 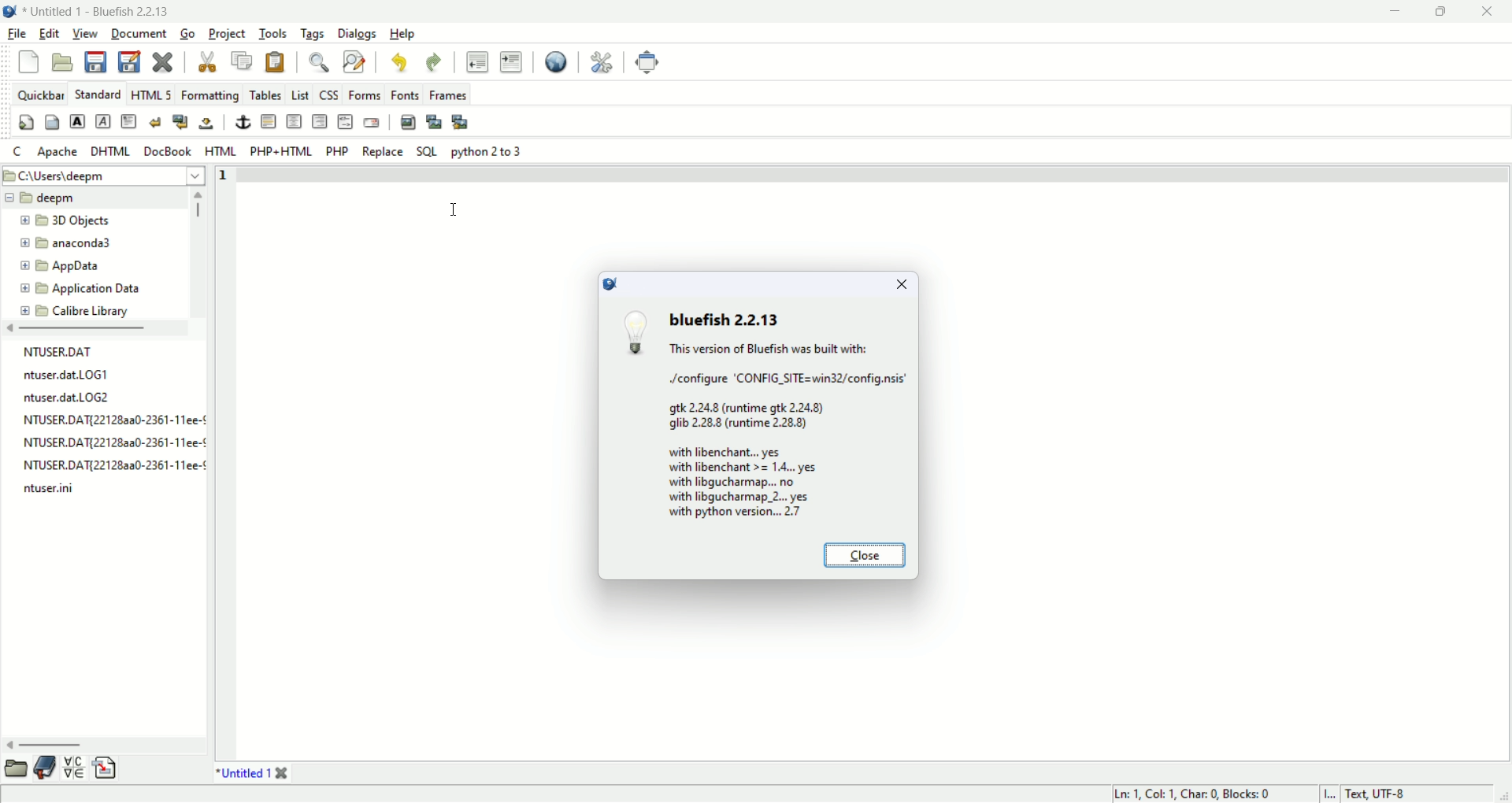 What do you see at coordinates (791, 431) in the screenshot?
I see `release notes` at bounding box center [791, 431].